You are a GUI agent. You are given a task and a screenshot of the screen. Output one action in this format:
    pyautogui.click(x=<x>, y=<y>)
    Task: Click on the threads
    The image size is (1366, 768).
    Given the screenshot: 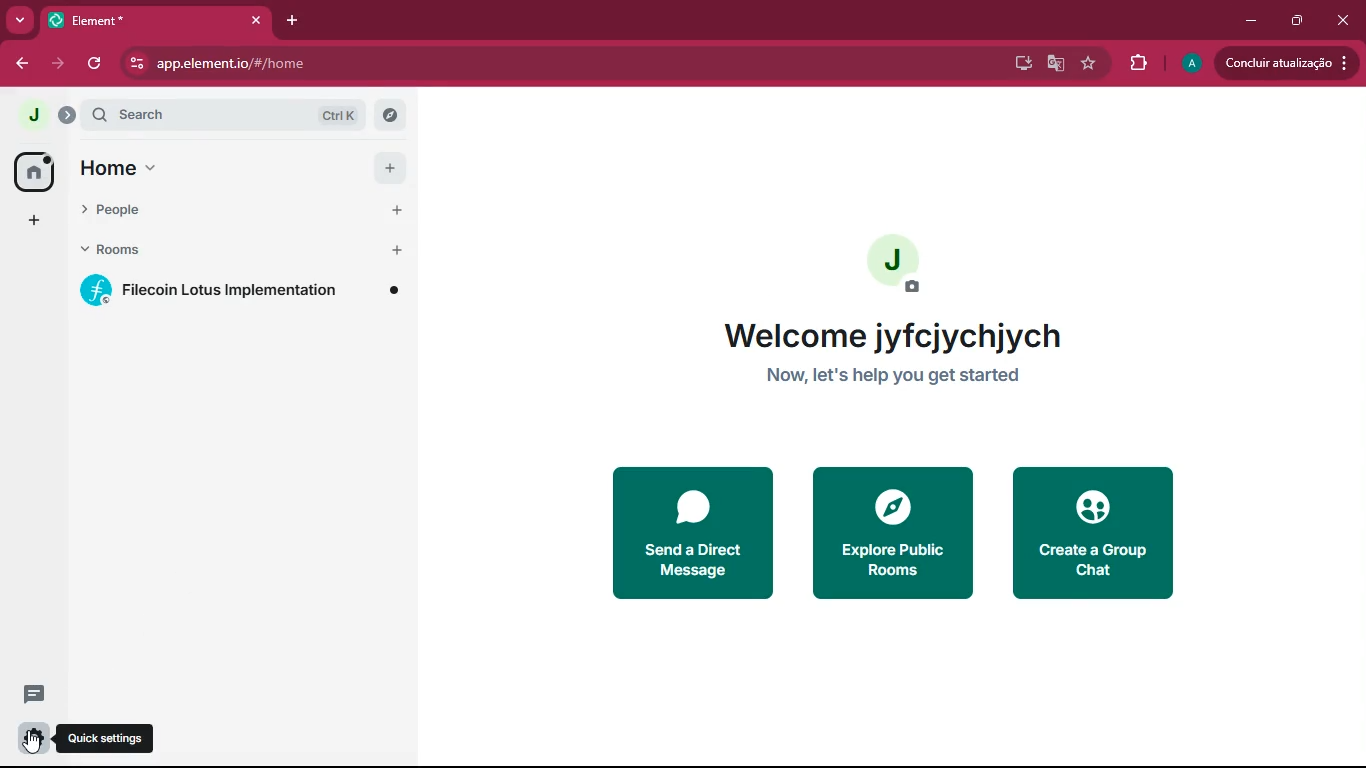 What is the action you would take?
    pyautogui.click(x=34, y=694)
    